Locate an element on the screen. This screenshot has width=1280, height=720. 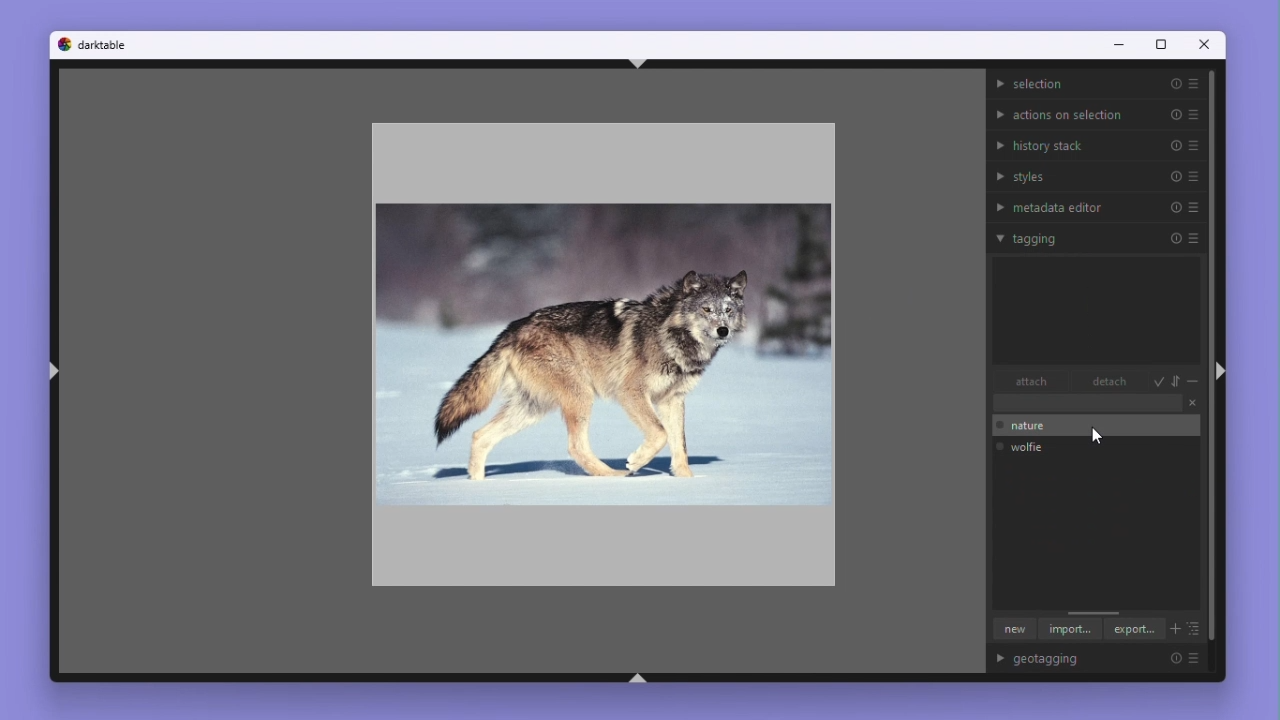
Import is located at coordinates (1070, 631).